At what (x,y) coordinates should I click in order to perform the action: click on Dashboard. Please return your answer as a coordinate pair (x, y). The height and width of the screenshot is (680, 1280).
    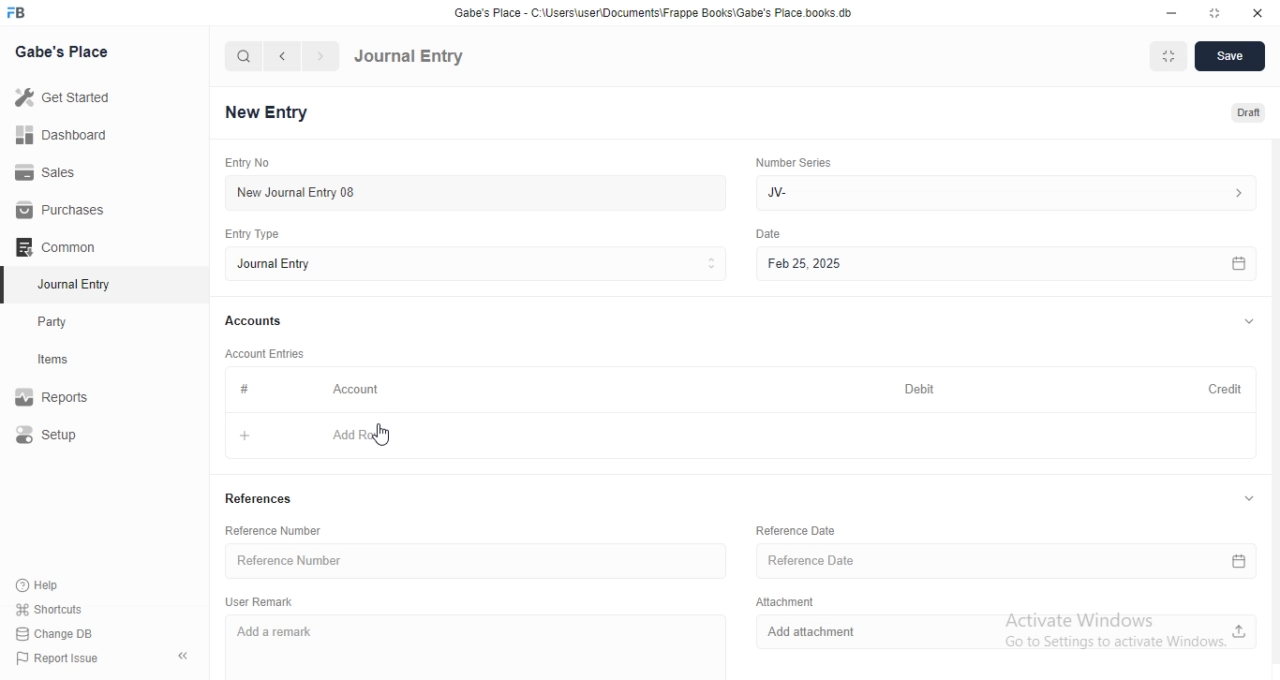
    Looking at the image, I should click on (61, 138).